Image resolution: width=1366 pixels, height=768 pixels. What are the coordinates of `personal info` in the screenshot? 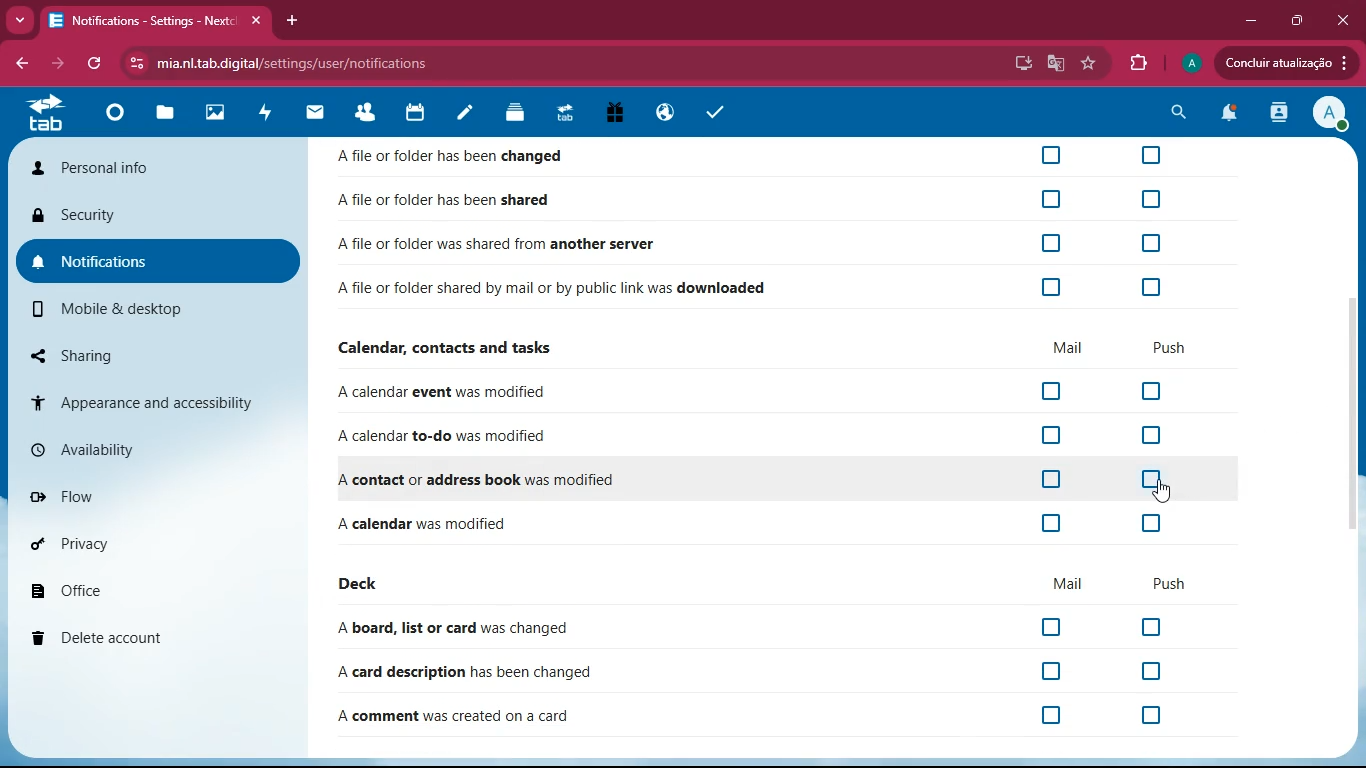 It's located at (126, 168).